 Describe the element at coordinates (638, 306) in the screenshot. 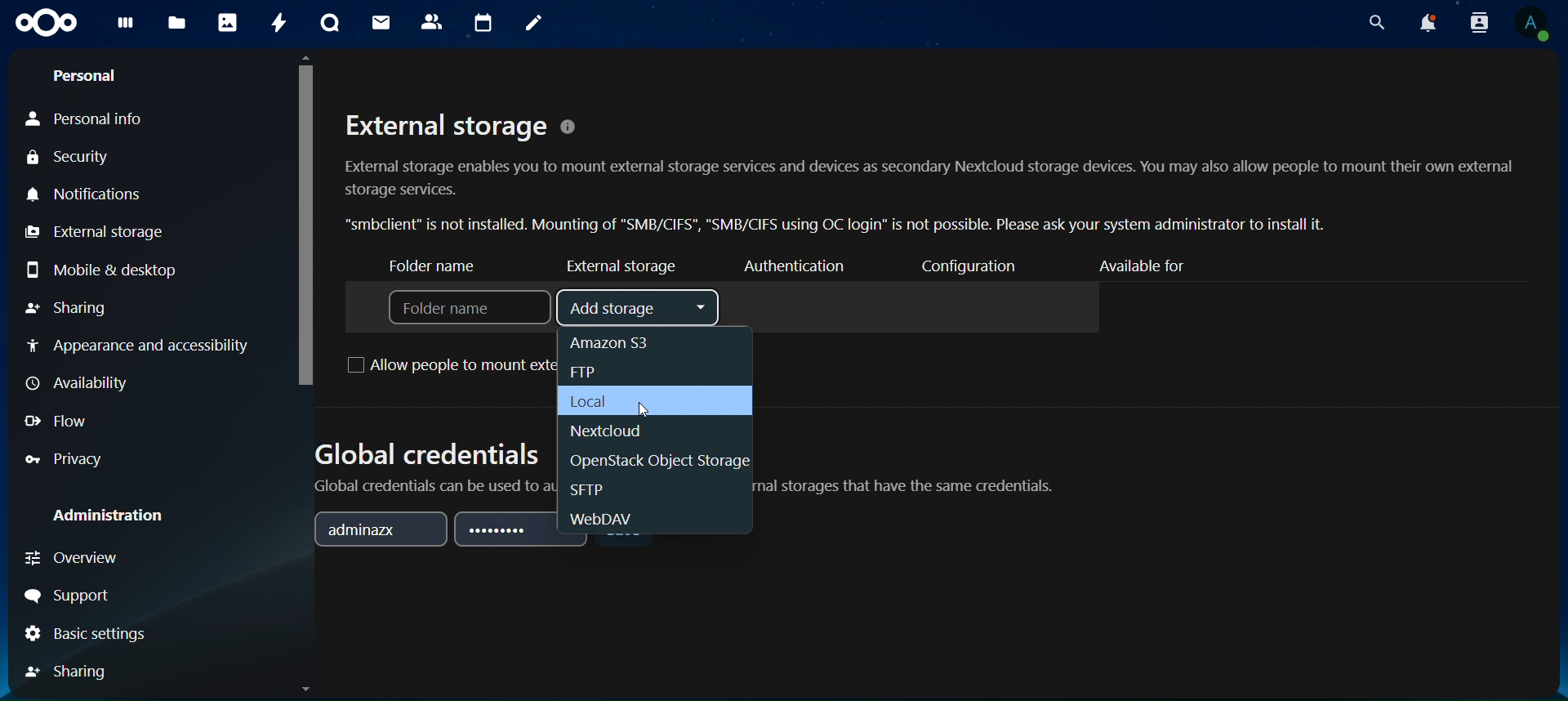

I see `add storage` at that location.